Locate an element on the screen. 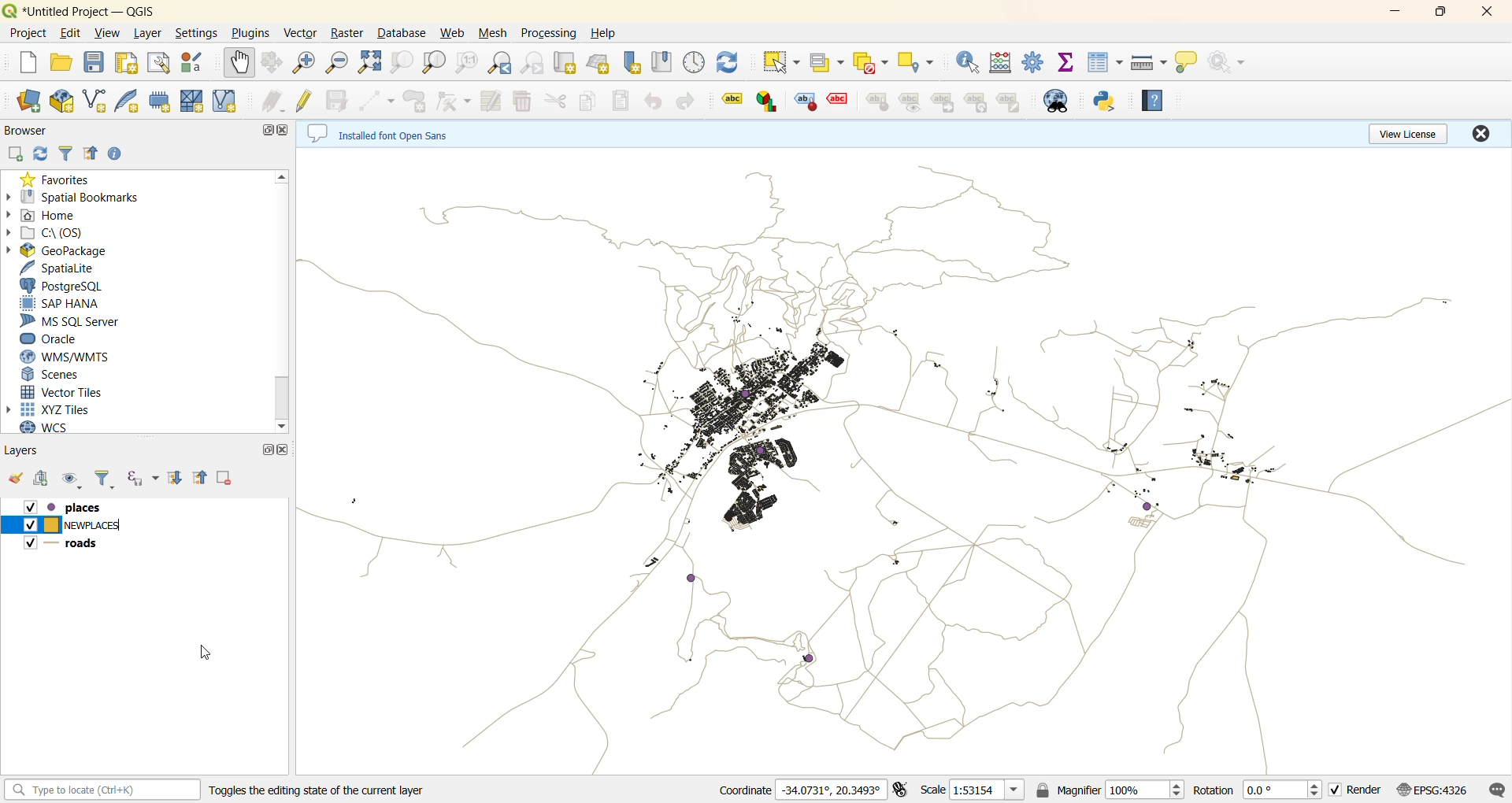  new geopackage layer is located at coordinates (64, 102).